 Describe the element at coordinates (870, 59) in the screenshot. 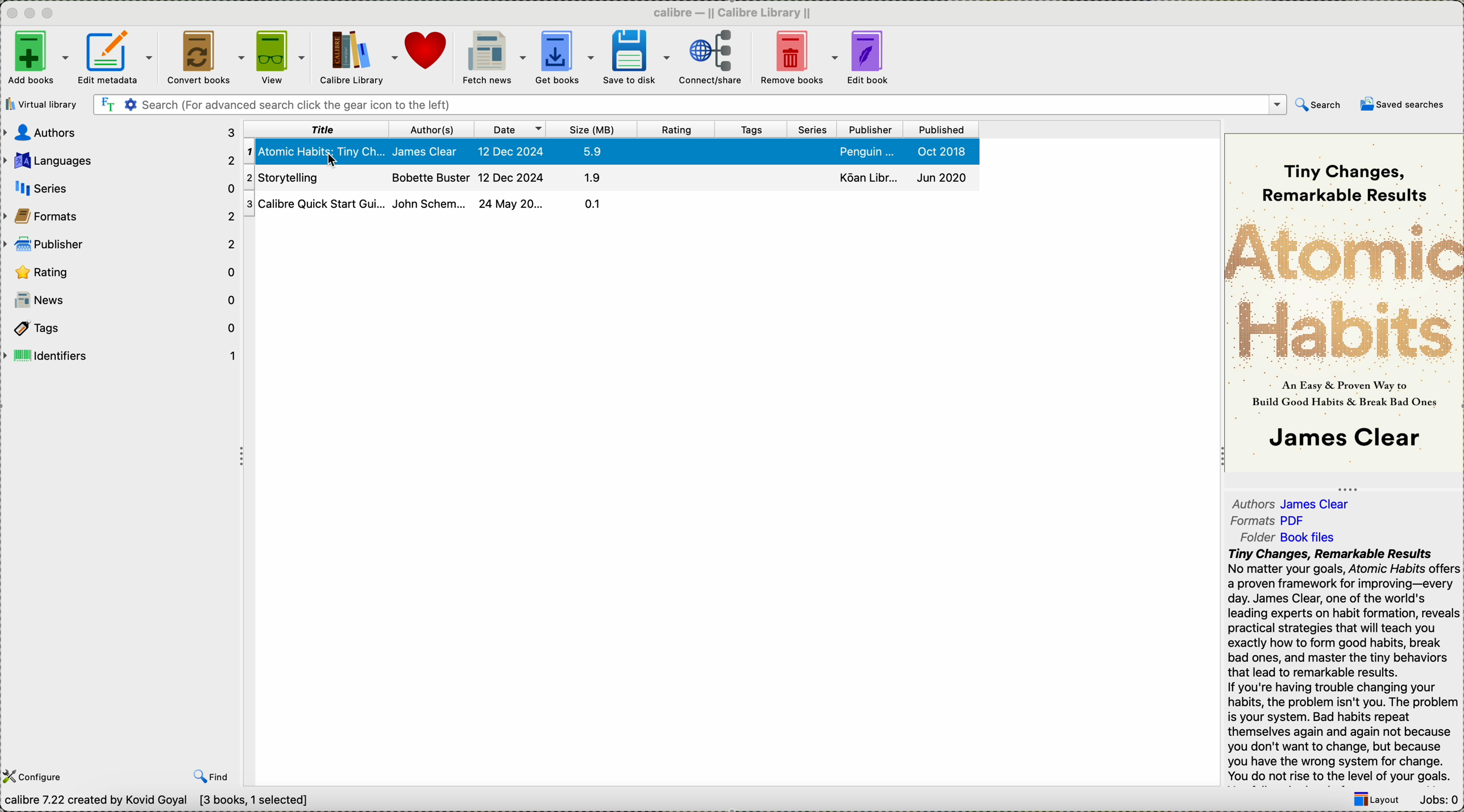

I see `edit book` at that location.